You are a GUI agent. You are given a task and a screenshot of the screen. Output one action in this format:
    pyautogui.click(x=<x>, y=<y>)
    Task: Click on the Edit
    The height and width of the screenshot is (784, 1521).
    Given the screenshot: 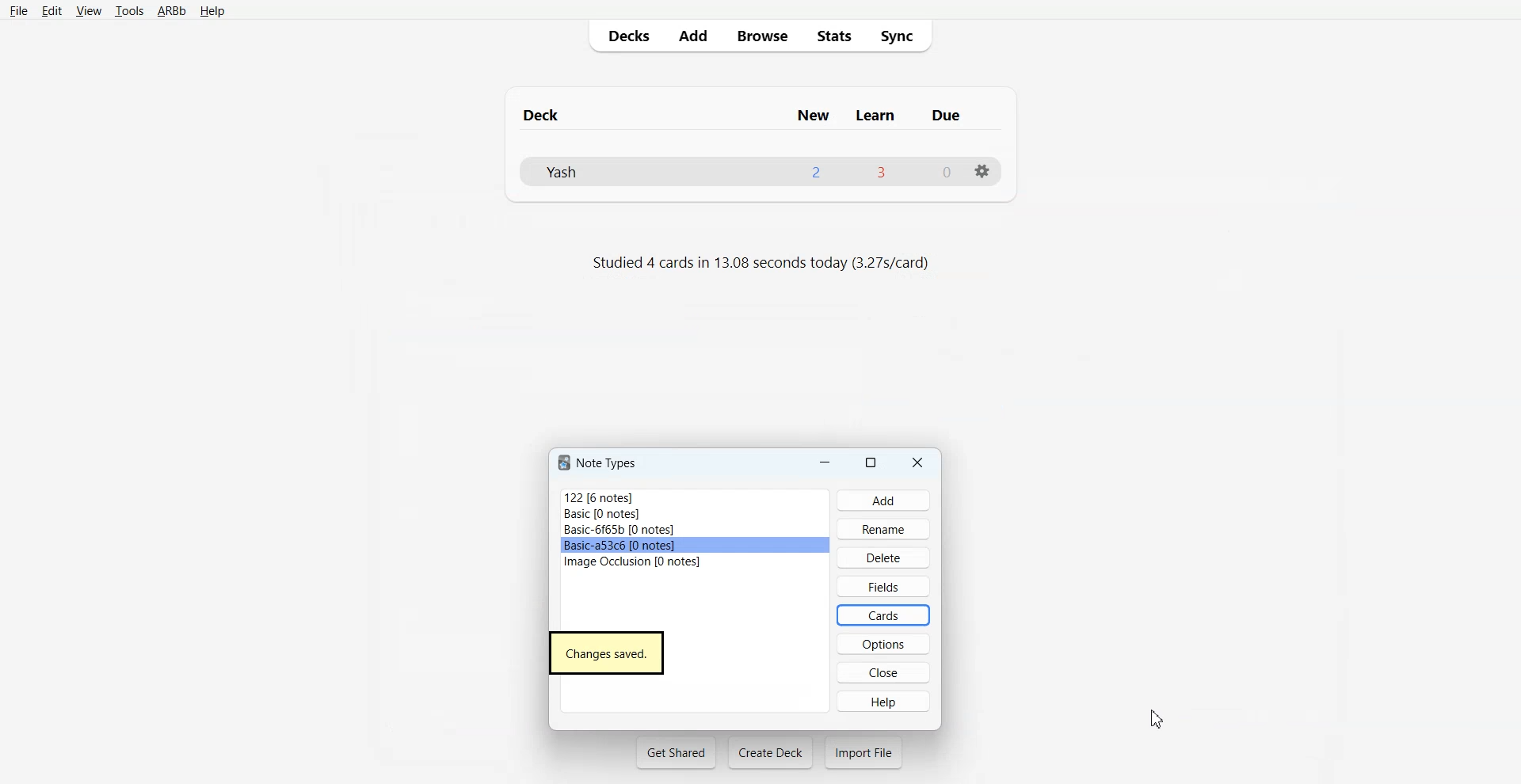 What is the action you would take?
    pyautogui.click(x=52, y=11)
    